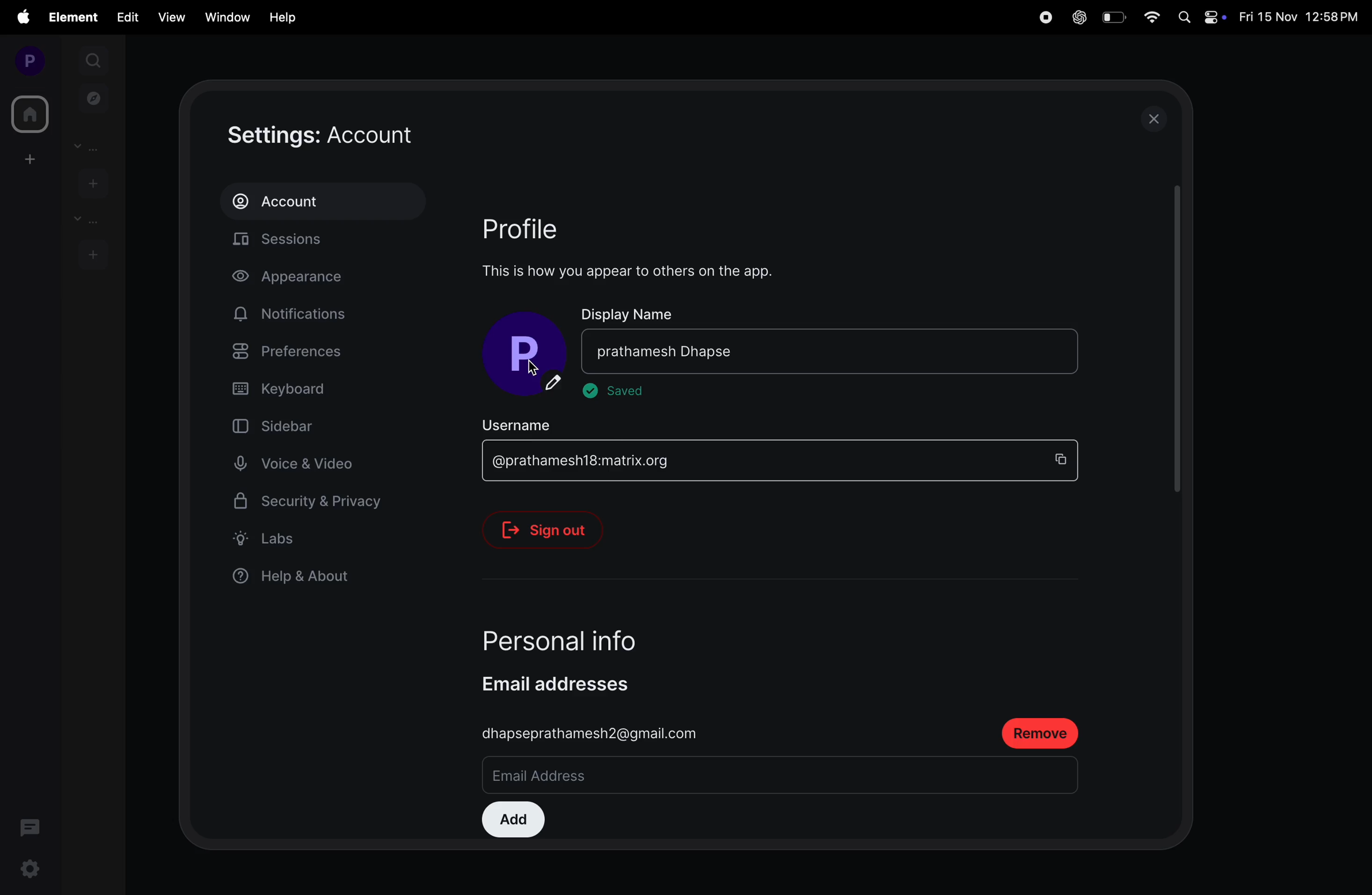  Describe the element at coordinates (95, 59) in the screenshot. I see `search1` at that location.